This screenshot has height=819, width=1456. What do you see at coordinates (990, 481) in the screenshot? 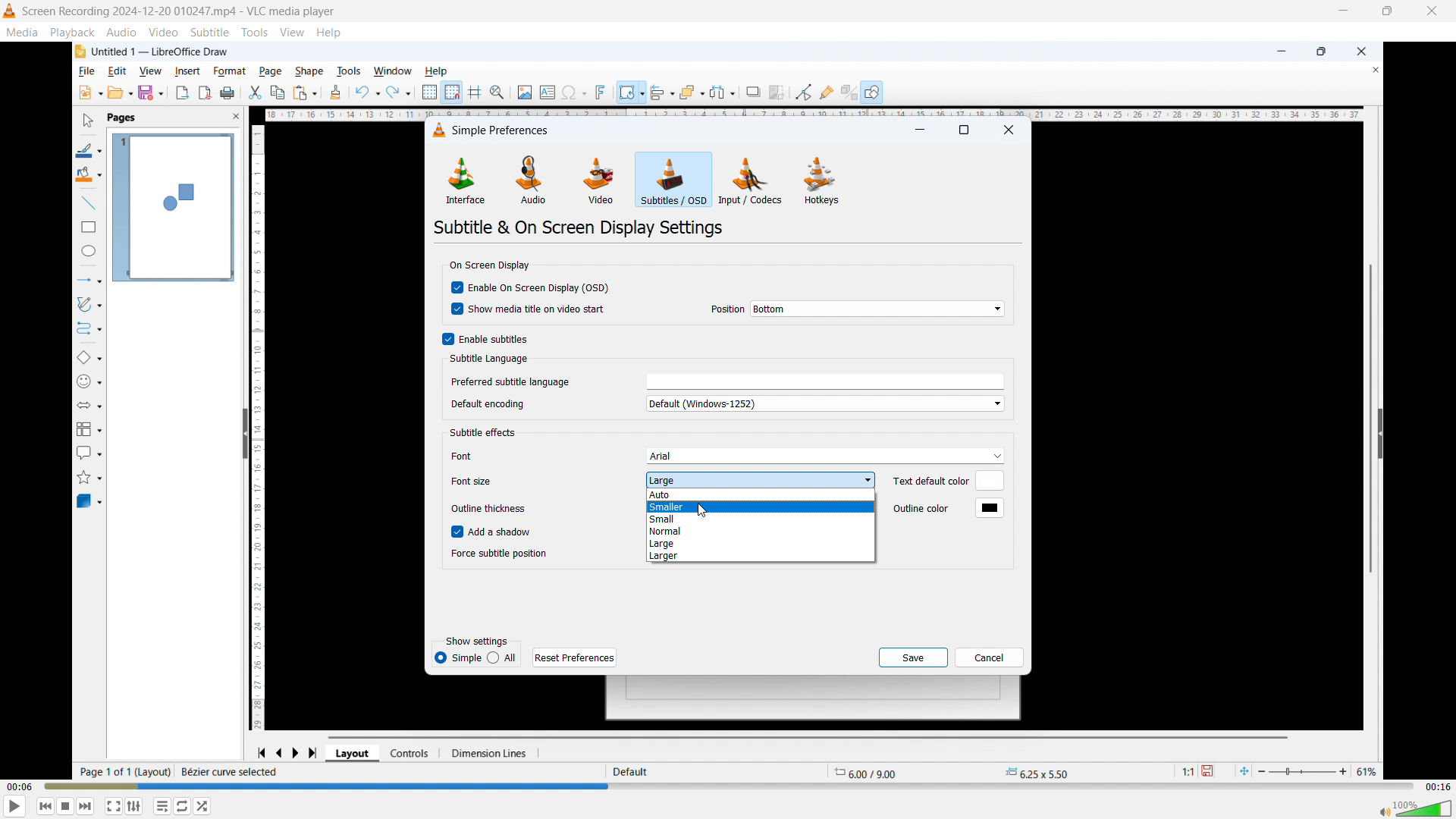
I see `Default text colour ` at bounding box center [990, 481].